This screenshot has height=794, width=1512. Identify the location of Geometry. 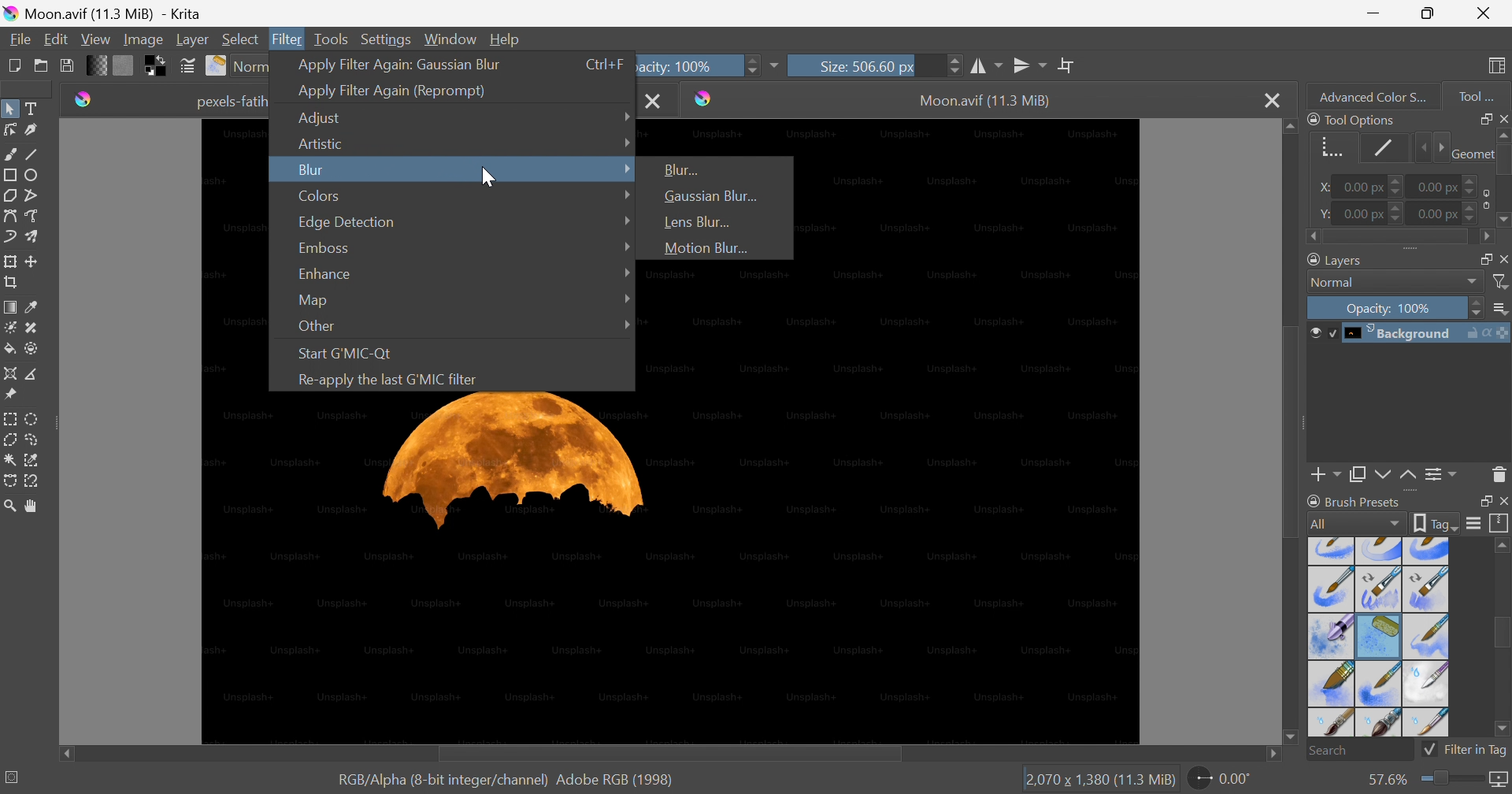
(1331, 150).